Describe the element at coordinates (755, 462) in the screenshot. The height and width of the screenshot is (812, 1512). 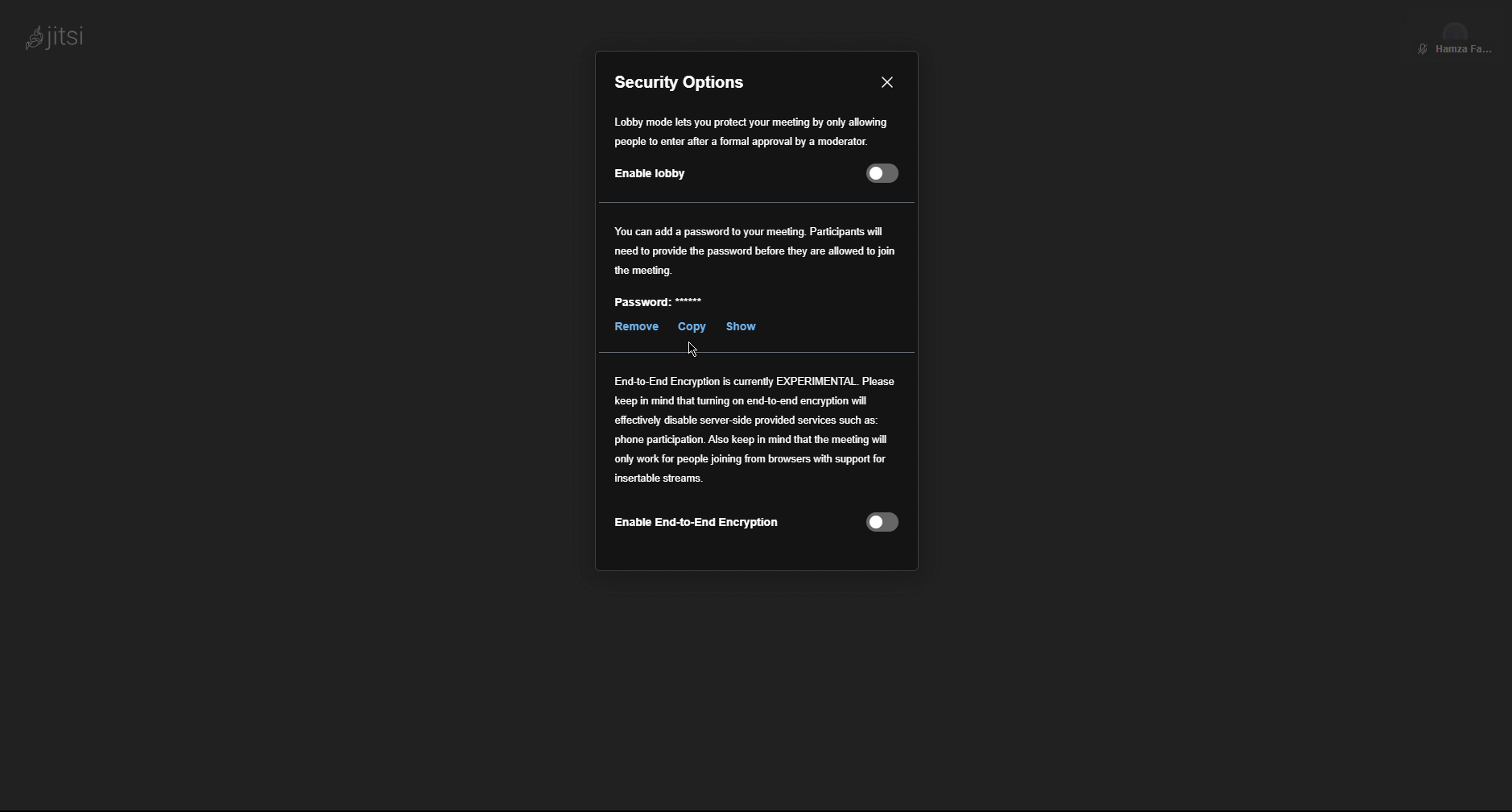
I see `End to End Encryption` at that location.